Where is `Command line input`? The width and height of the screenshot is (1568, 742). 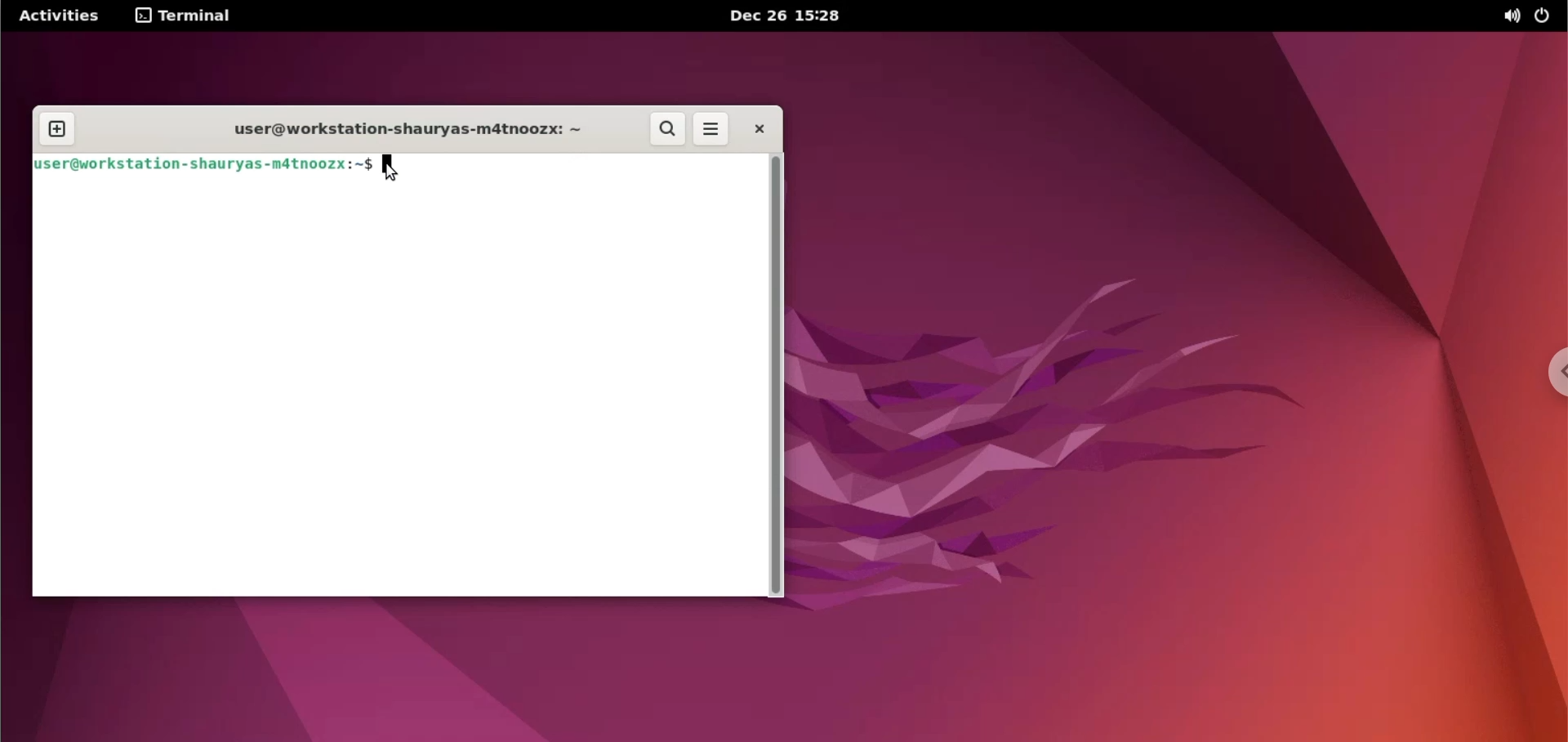 Command line input is located at coordinates (395, 388).